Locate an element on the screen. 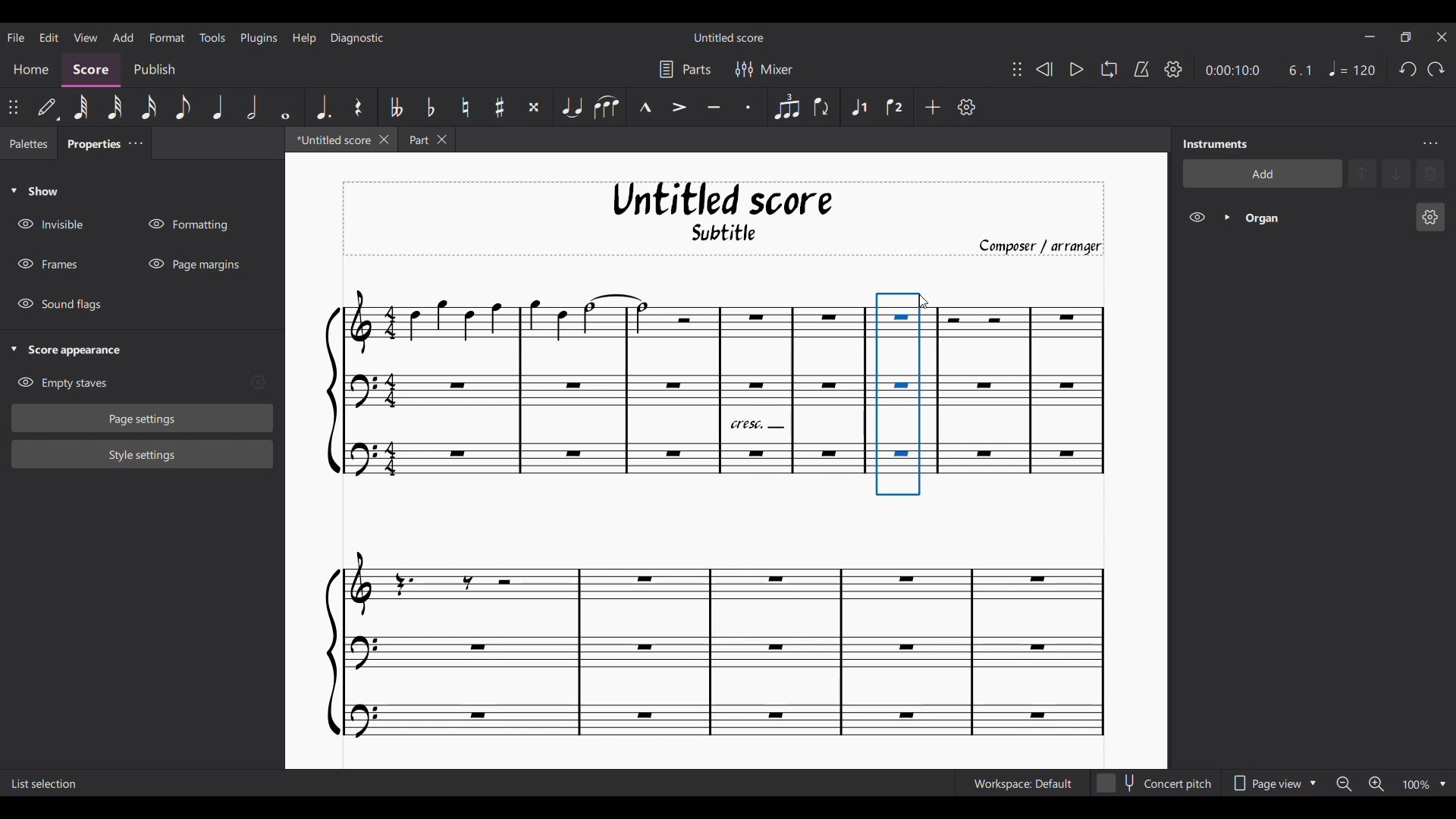 The width and height of the screenshot is (1456, 819). Half note is located at coordinates (252, 107).